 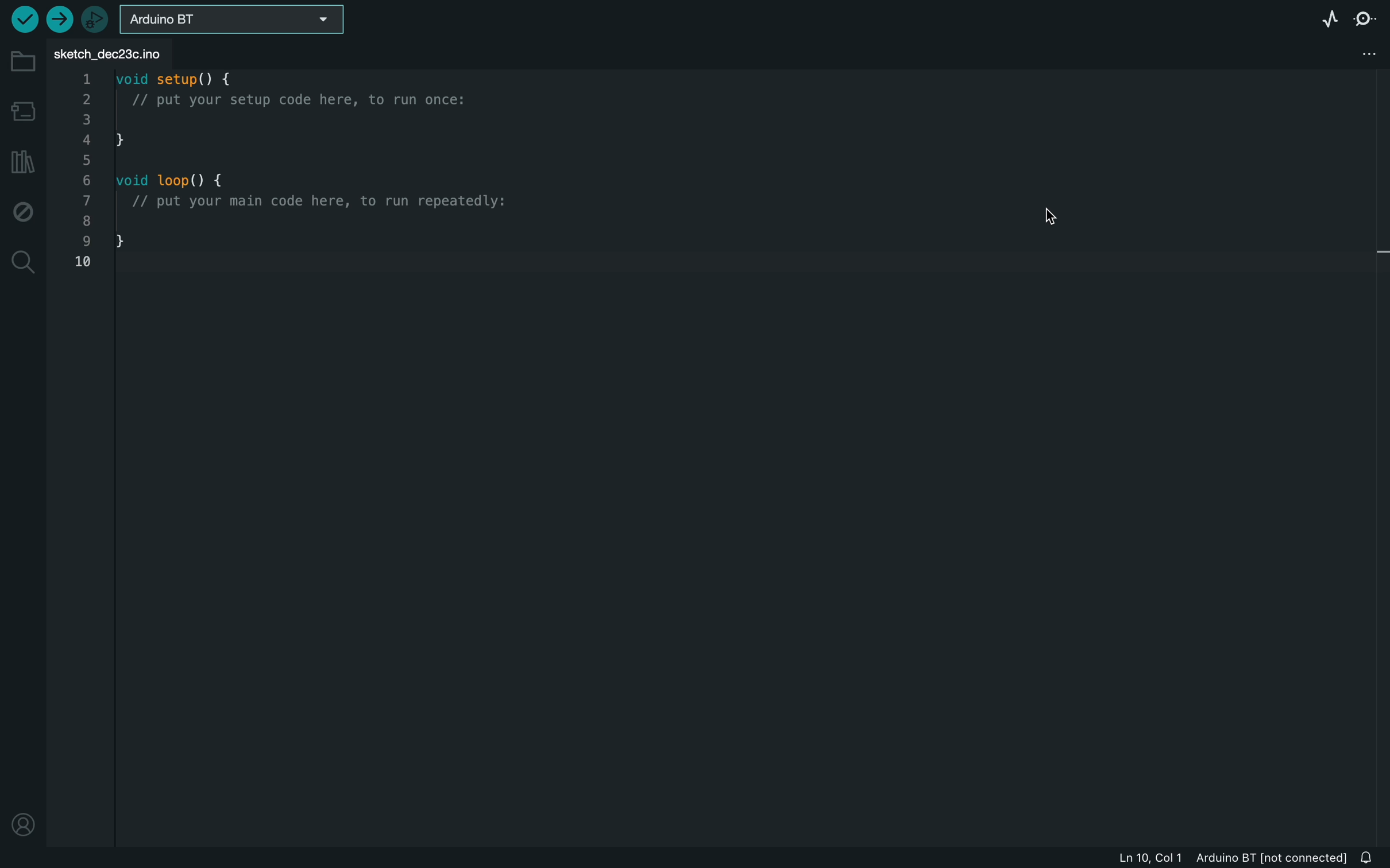 I want to click on verify, so click(x=22, y=19).